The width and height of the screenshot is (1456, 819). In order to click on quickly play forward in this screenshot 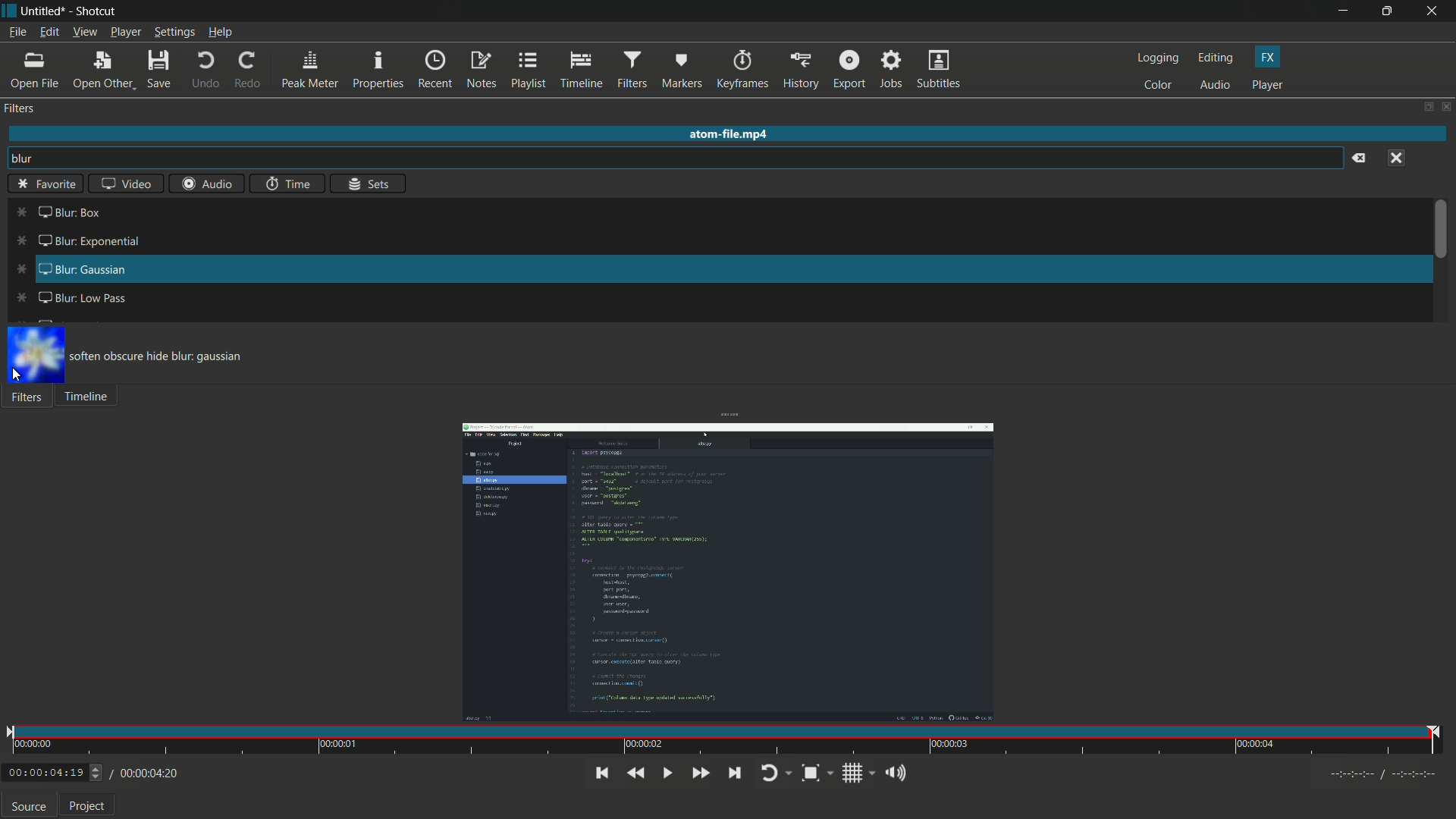, I will do `click(698, 773)`.